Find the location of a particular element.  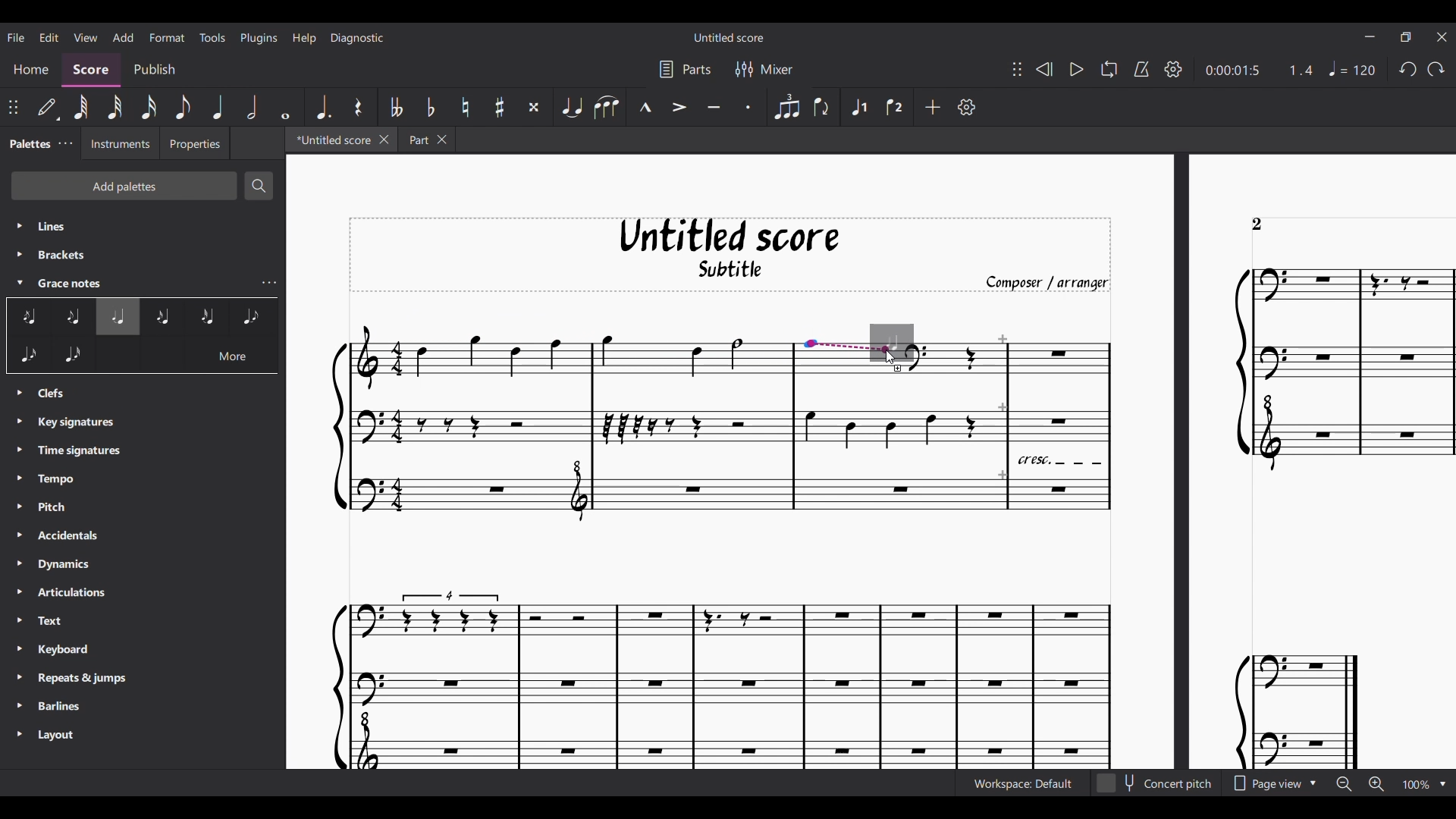

Show interface in a smaller tab is located at coordinates (1405, 37).